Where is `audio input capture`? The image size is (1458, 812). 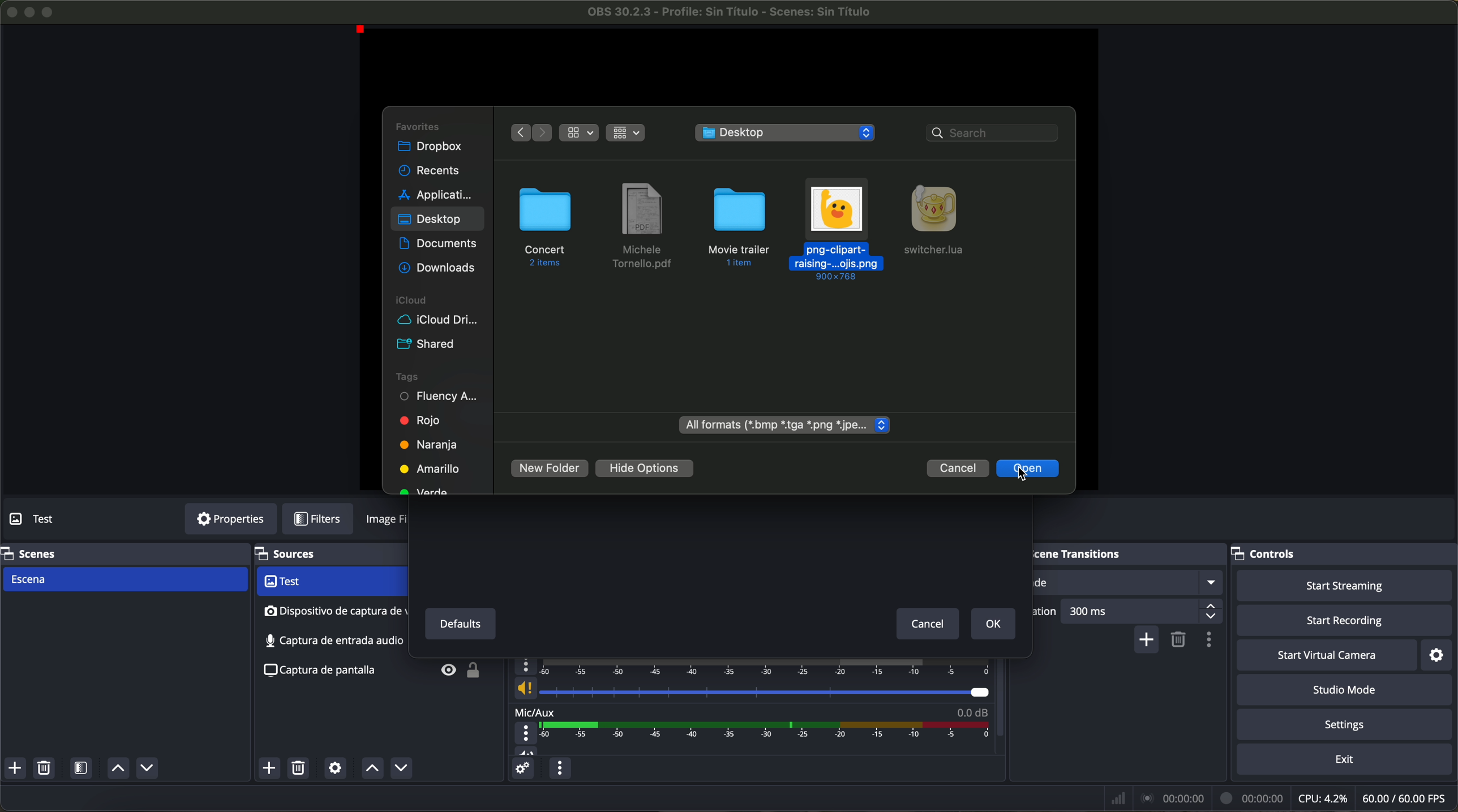 audio input capture is located at coordinates (333, 611).